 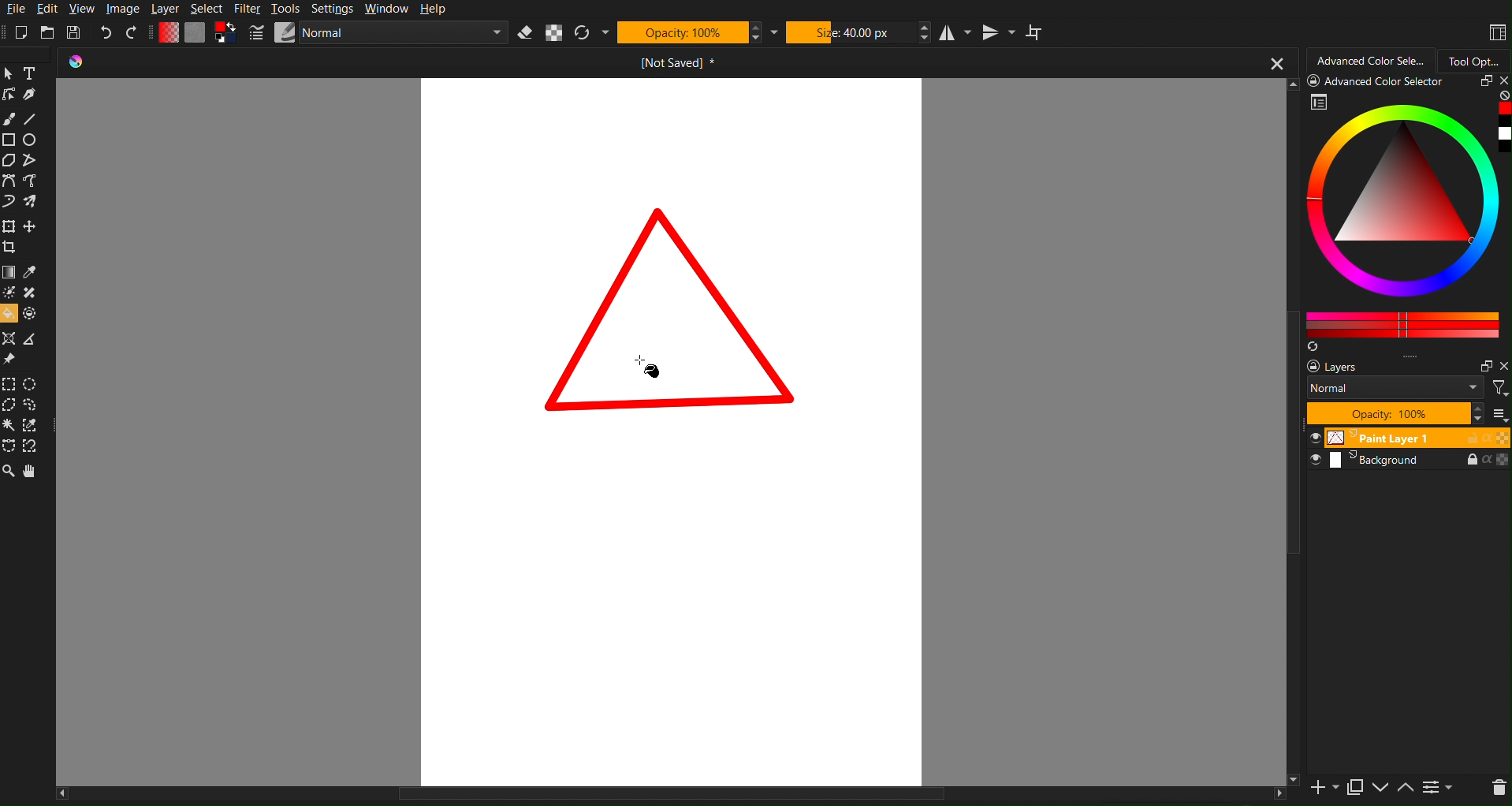 I want to click on Advanced Color Selector, so click(x=1380, y=84).